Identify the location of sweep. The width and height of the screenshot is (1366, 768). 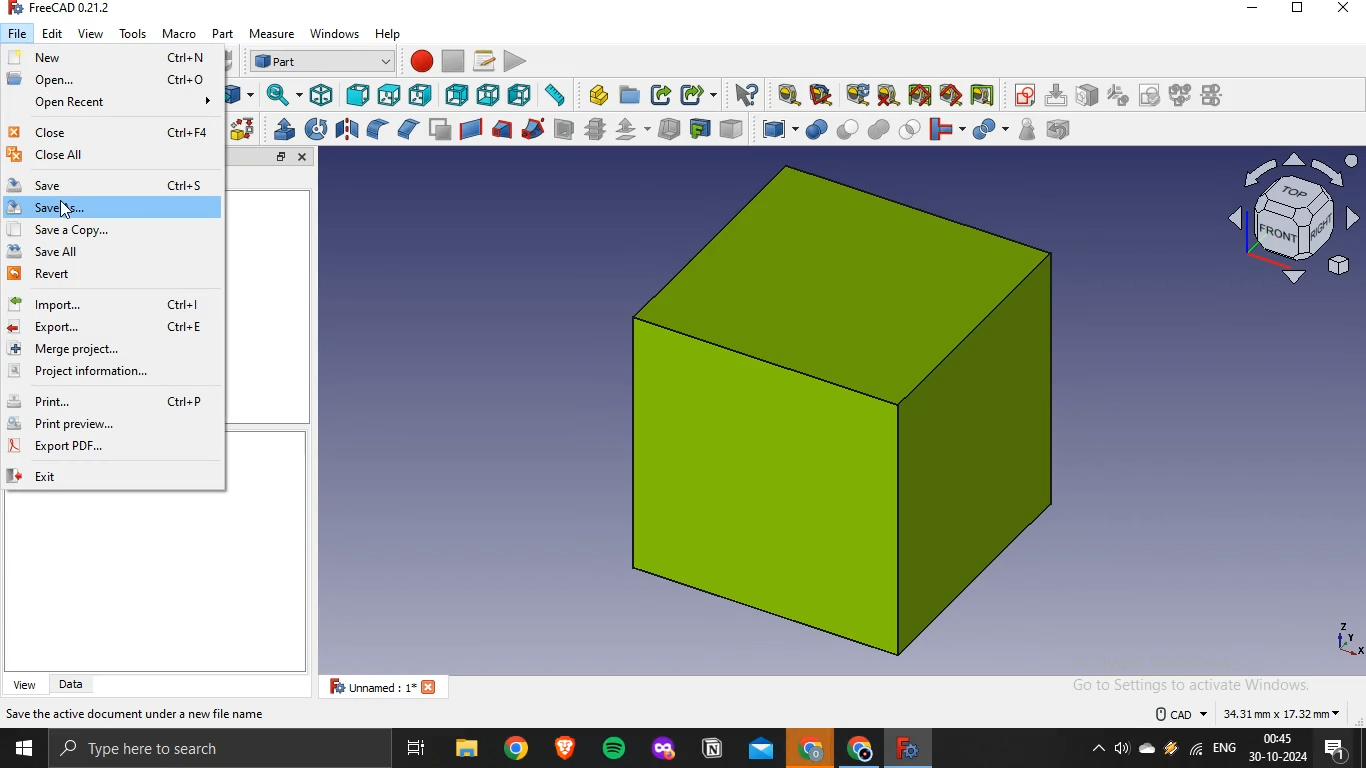
(532, 129).